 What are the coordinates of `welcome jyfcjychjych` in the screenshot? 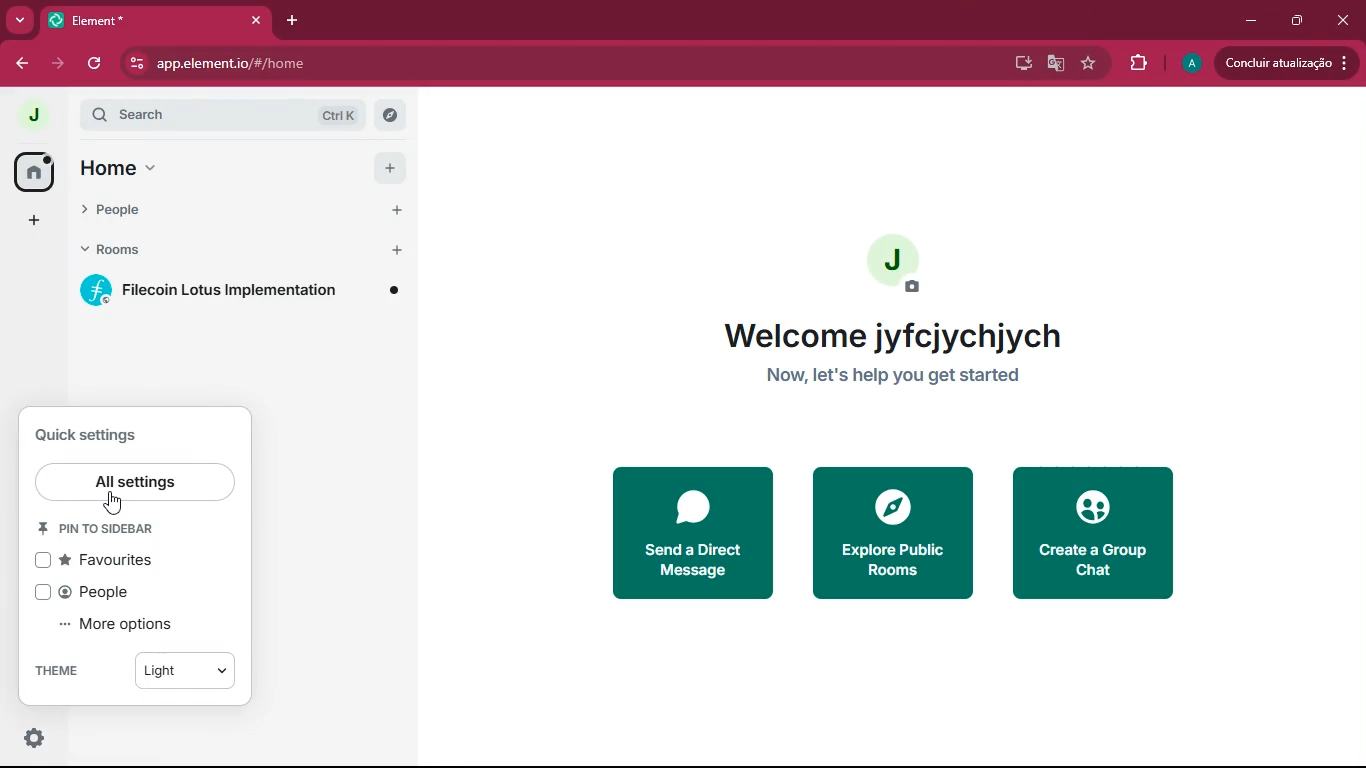 It's located at (899, 332).